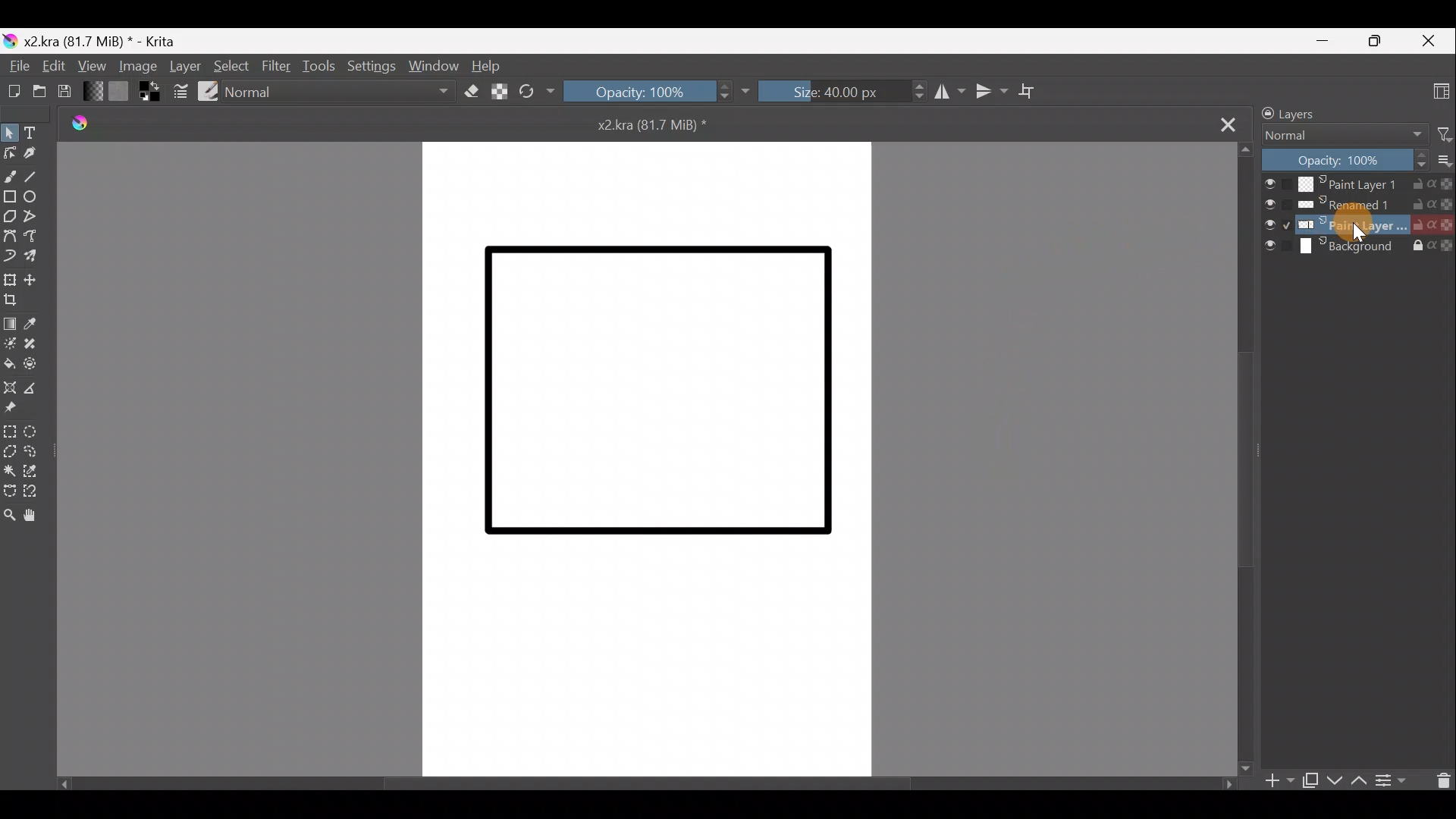 The width and height of the screenshot is (1456, 819). I want to click on Draw a gradient, so click(9, 325).